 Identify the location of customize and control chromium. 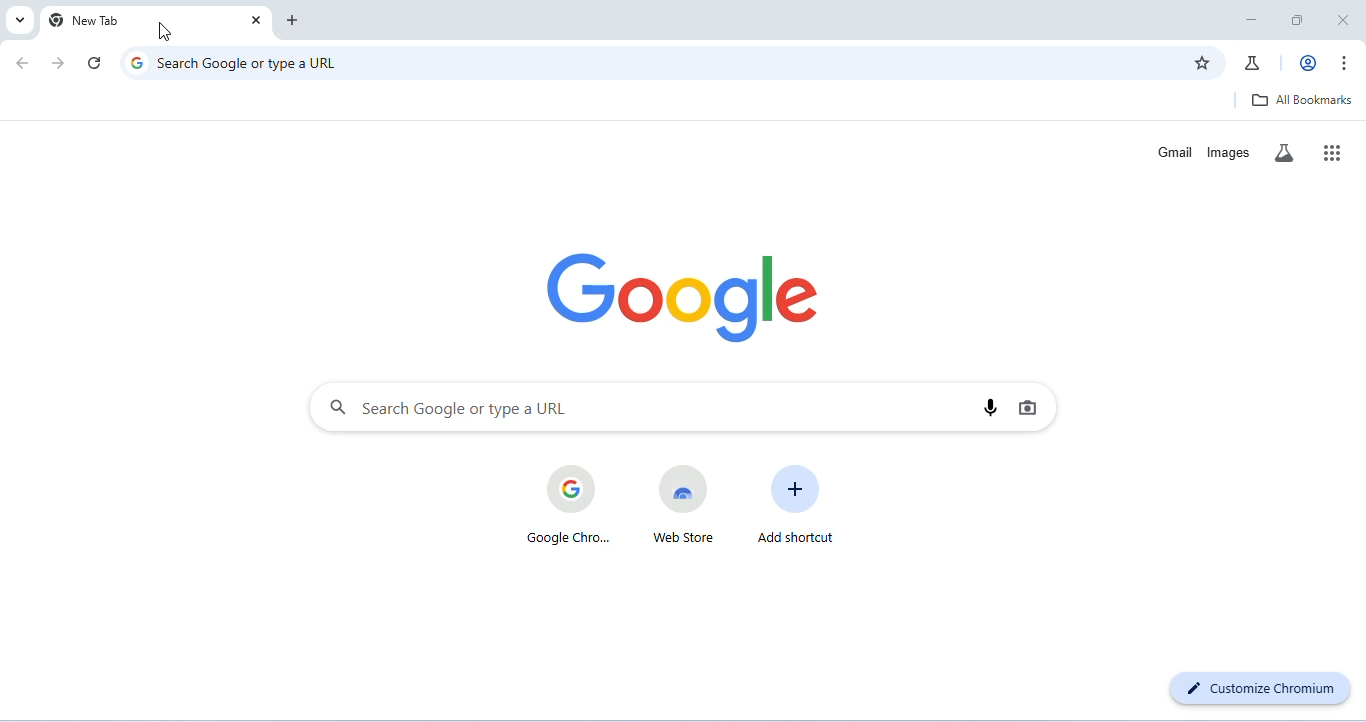
(1347, 63).